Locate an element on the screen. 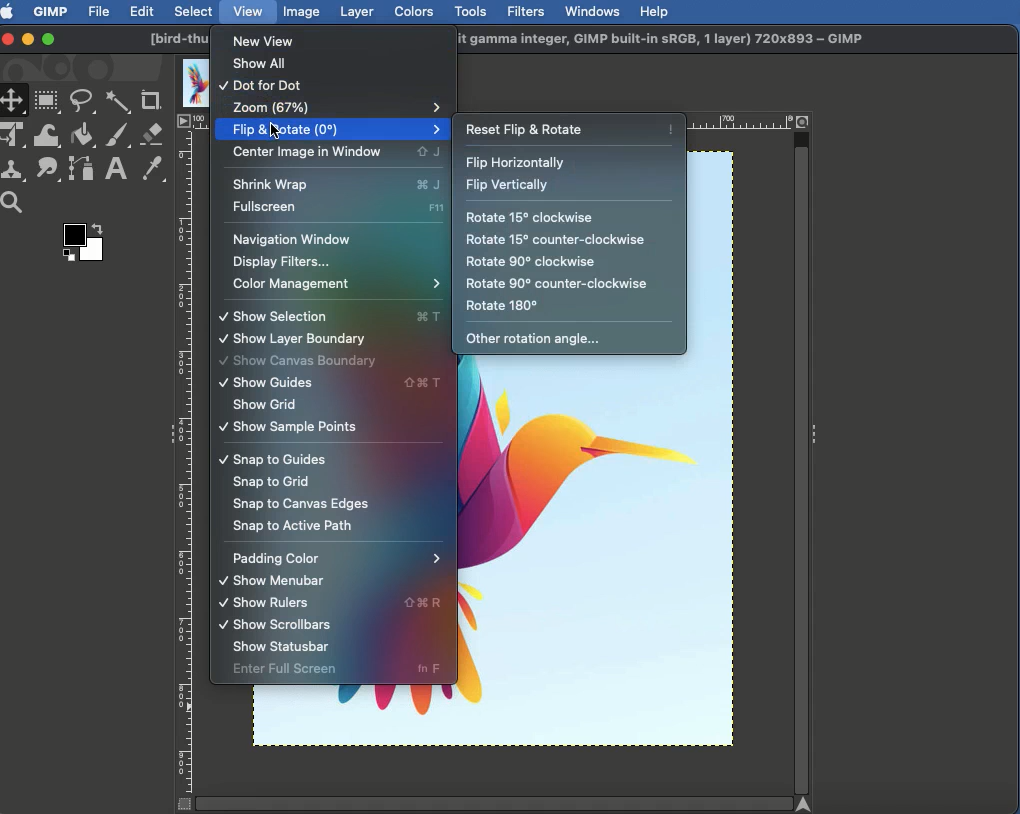 The height and width of the screenshot is (814, 1020). Filters is located at coordinates (524, 12).